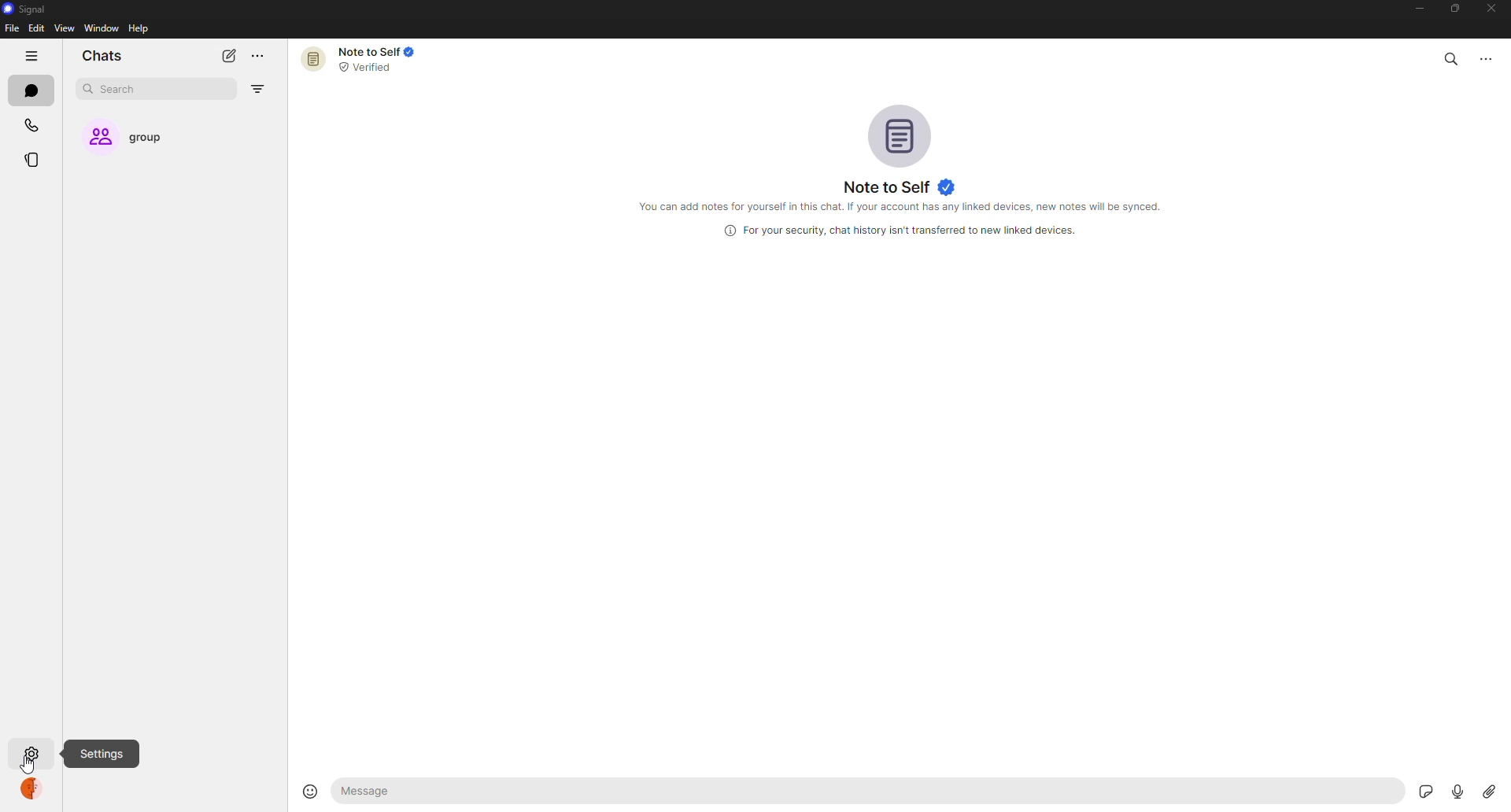  Describe the element at coordinates (104, 754) in the screenshot. I see `settings` at that location.